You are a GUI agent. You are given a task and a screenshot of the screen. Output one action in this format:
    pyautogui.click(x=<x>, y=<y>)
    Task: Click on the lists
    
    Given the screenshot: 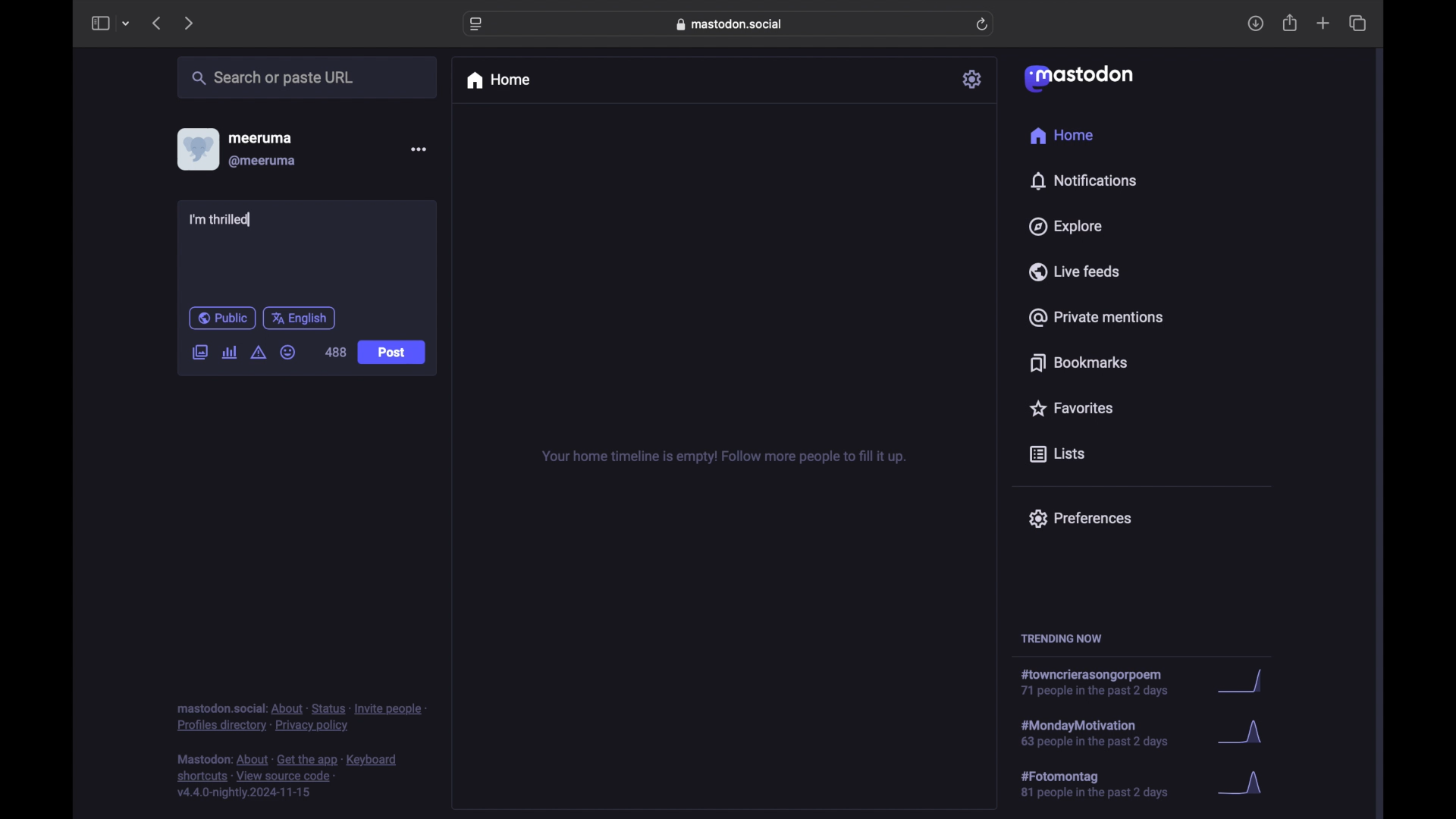 What is the action you would take?
    pyautogui.click(x=1057, y=455)
    